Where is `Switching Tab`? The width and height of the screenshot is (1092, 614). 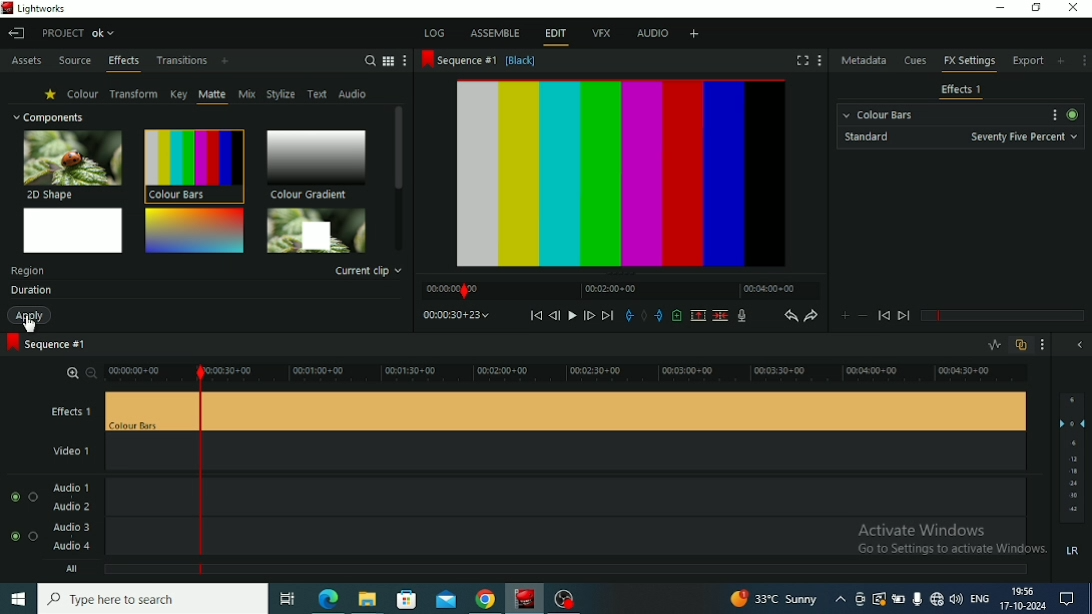 Switching Tab is located at coordinates (287, 599).